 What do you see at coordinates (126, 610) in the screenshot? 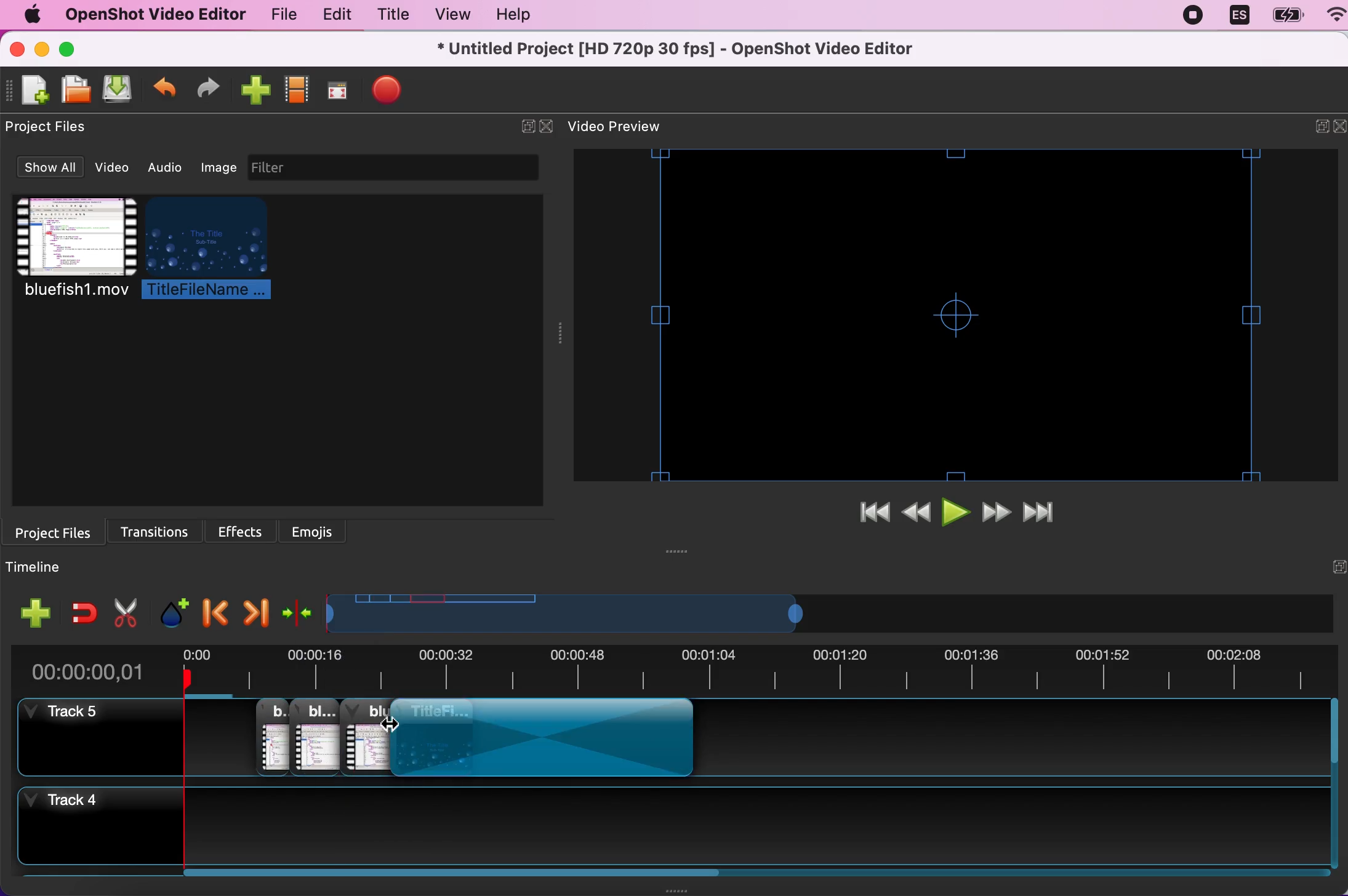
I see `cut` at bounding box center [126, 610].